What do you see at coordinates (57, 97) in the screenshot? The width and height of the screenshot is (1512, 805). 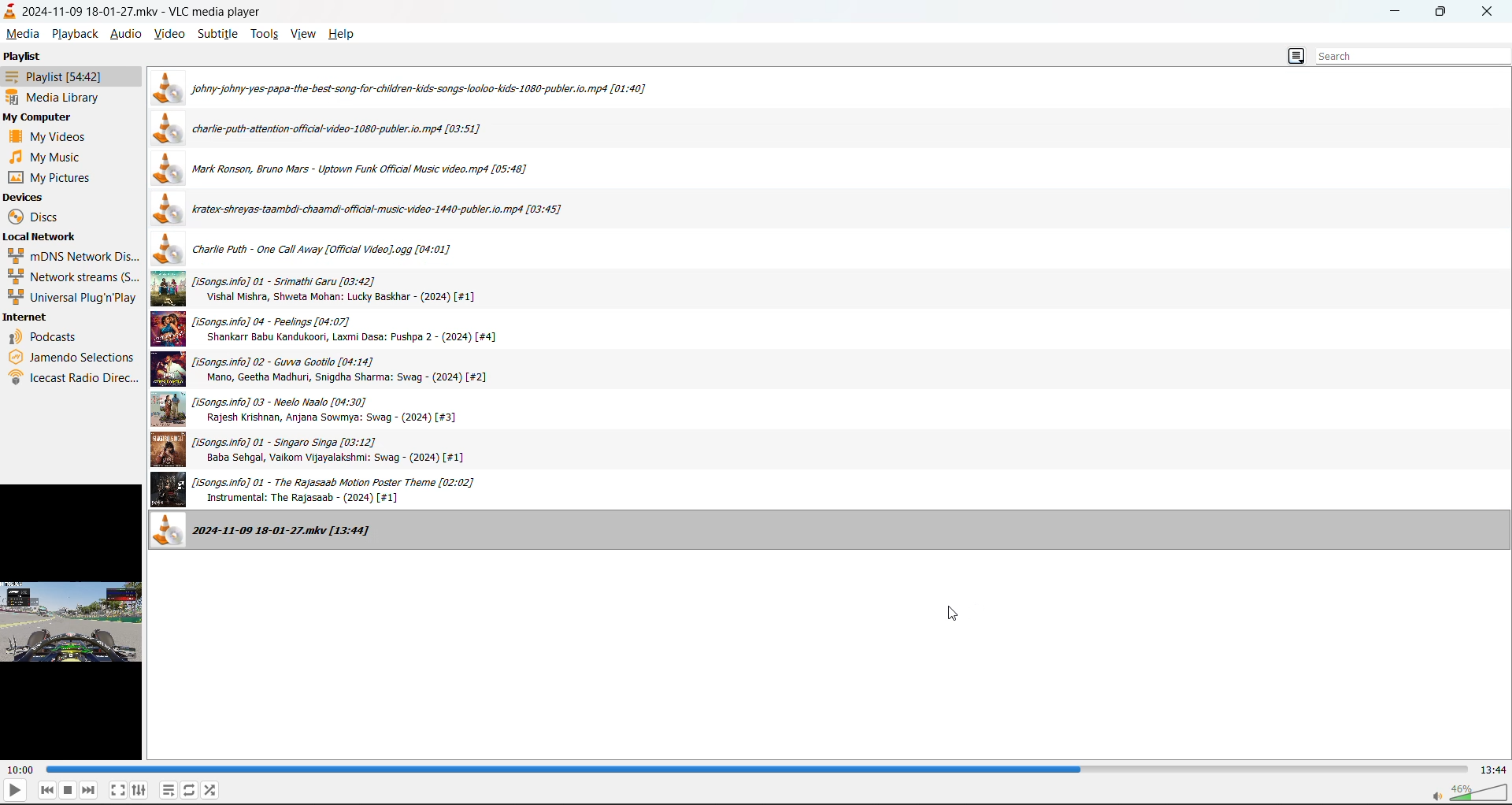 I see `media library` at bounding box center [57, 97].